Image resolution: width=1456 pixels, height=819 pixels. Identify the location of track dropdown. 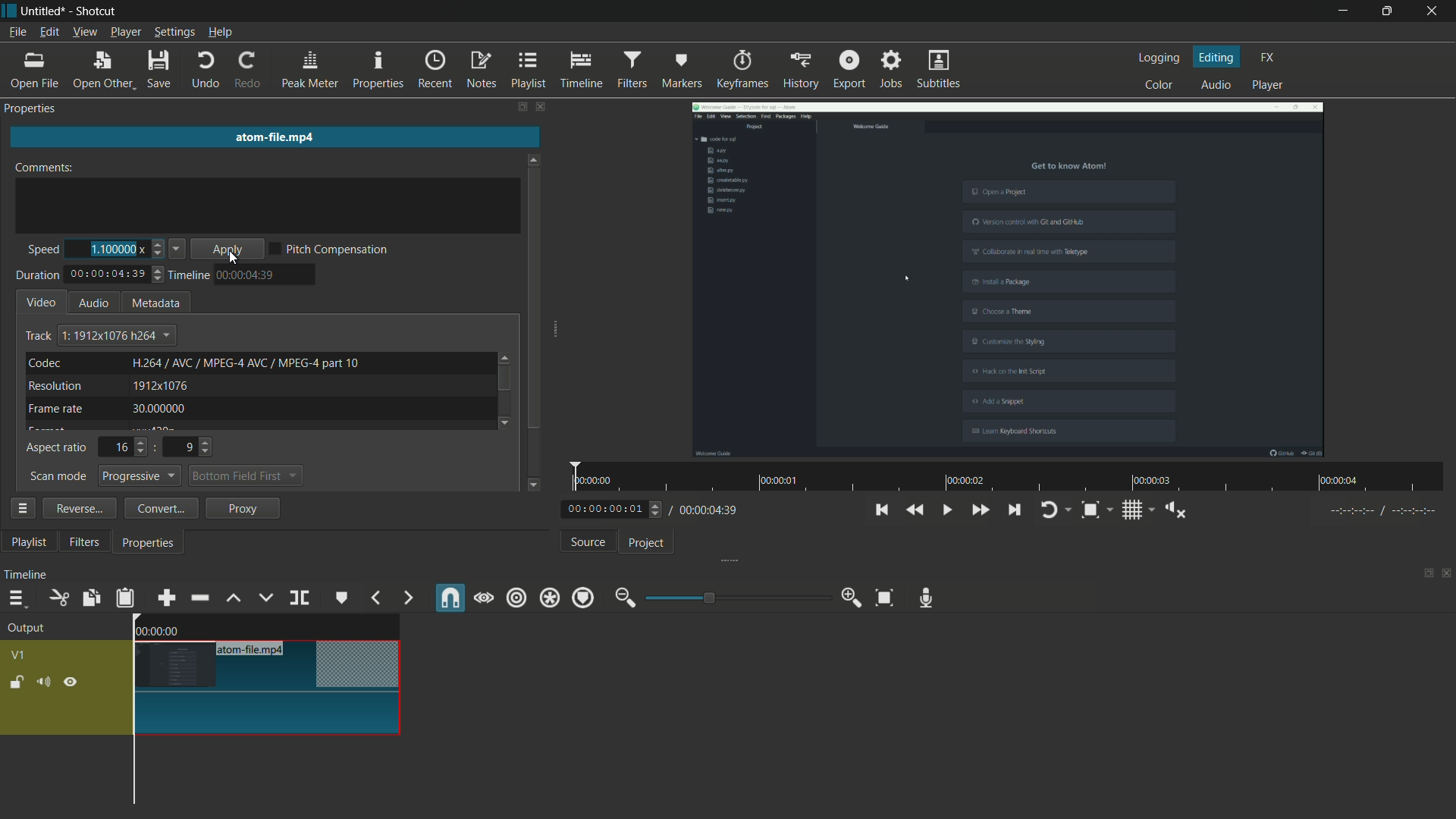
(116, 335).